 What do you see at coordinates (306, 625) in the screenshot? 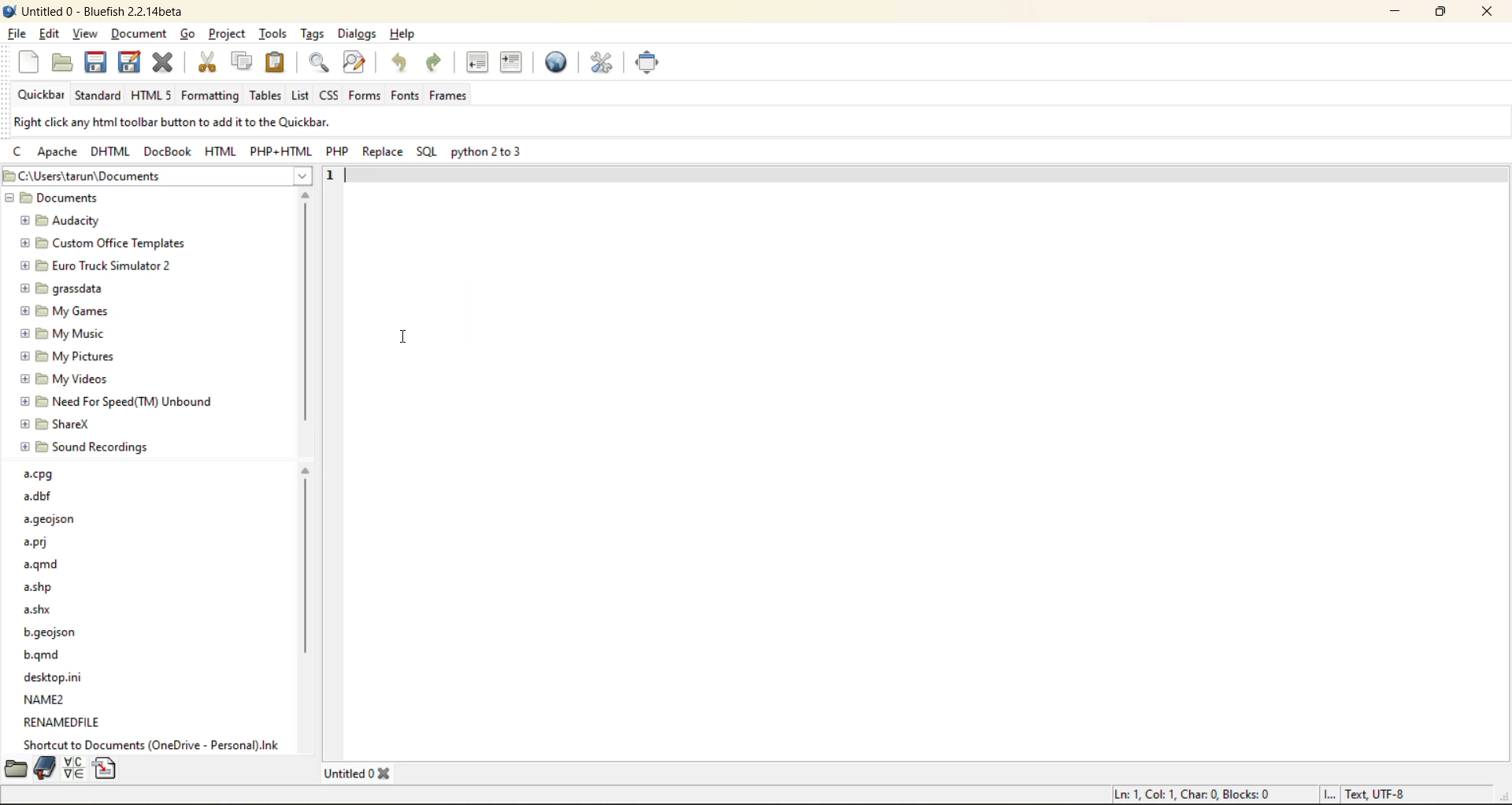
I see `vertical scroll bar` at bounding box center [306, 625].